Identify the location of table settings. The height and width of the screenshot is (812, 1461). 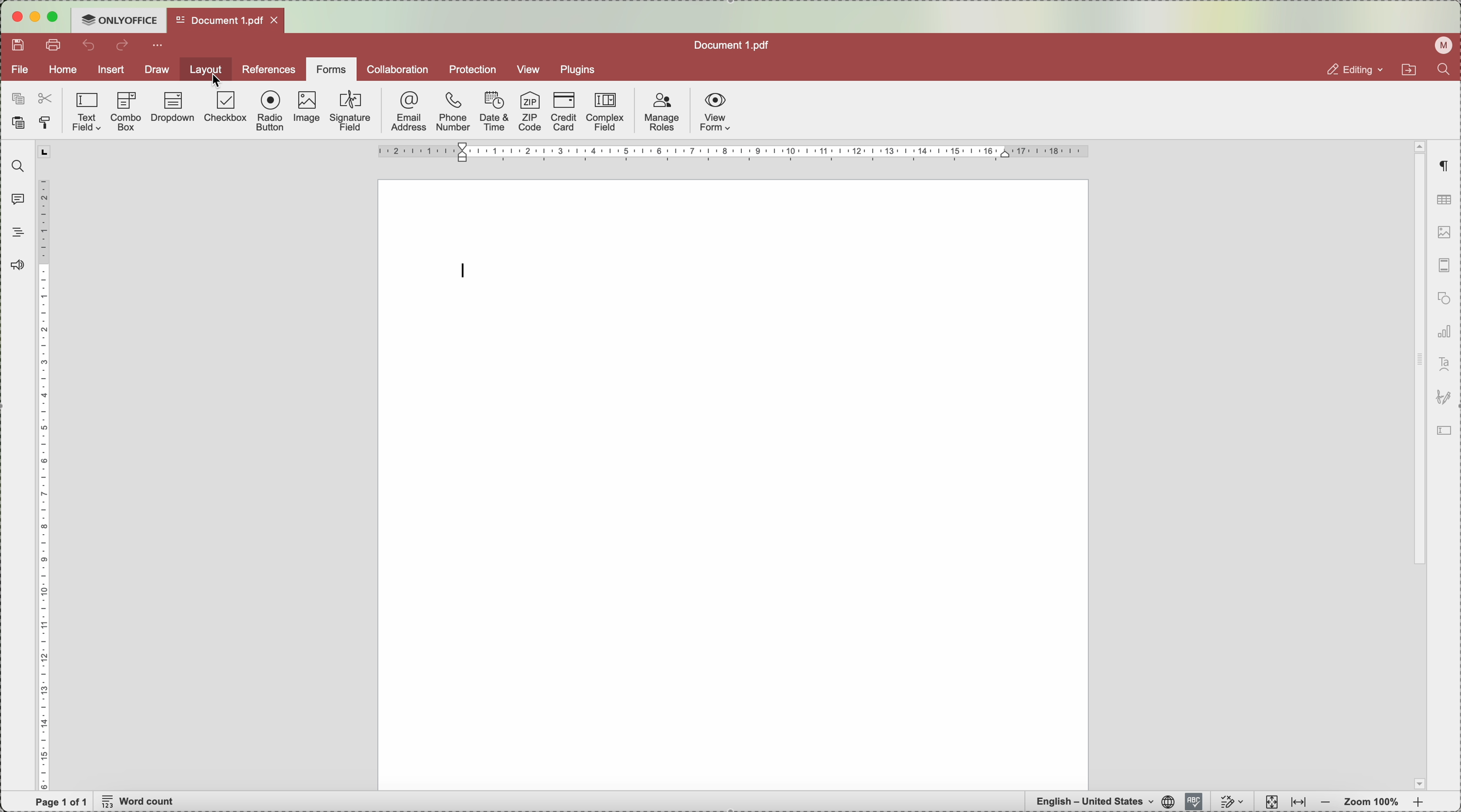
(1444, 200).